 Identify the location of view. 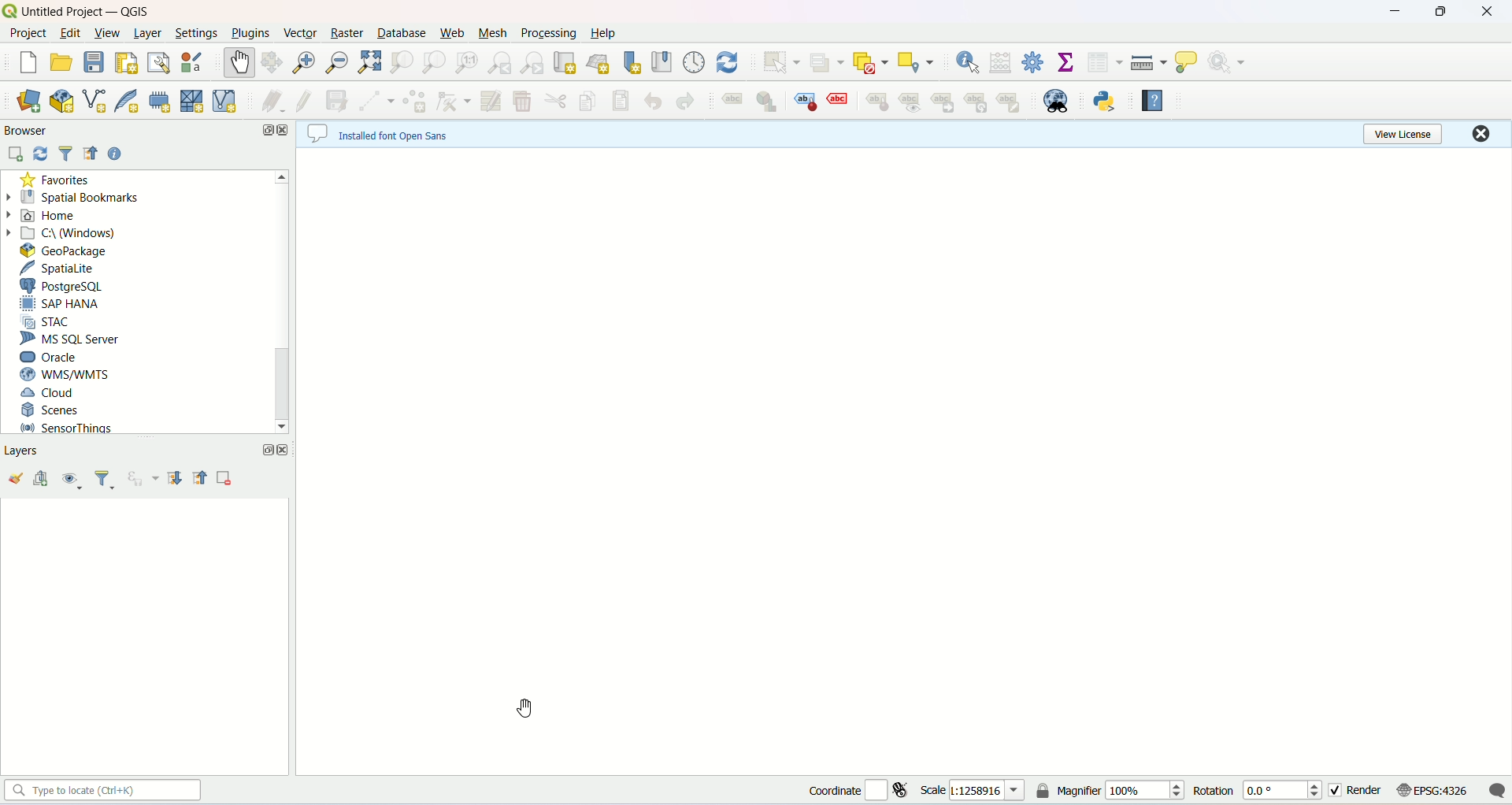
(107, 33).